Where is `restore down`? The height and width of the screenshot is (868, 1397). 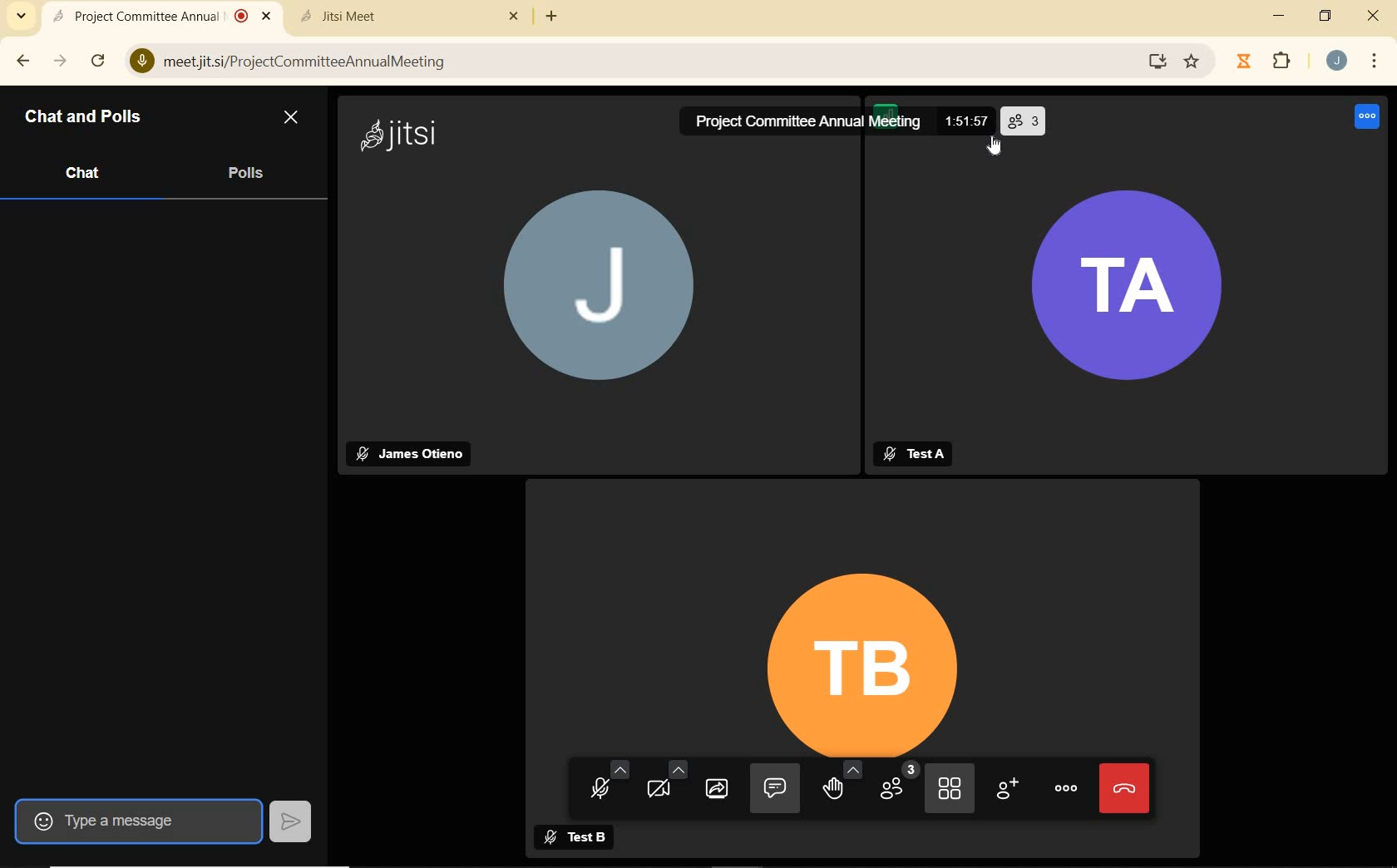 restore down is located at coordinates (1326, 18).